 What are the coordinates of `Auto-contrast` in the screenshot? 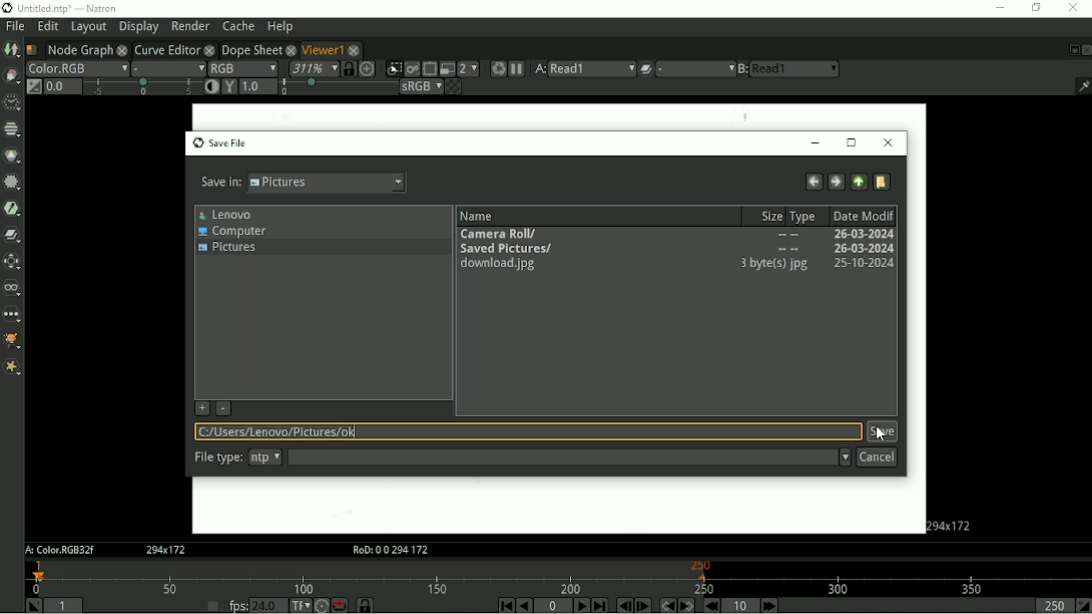 It's located at (210, 87).